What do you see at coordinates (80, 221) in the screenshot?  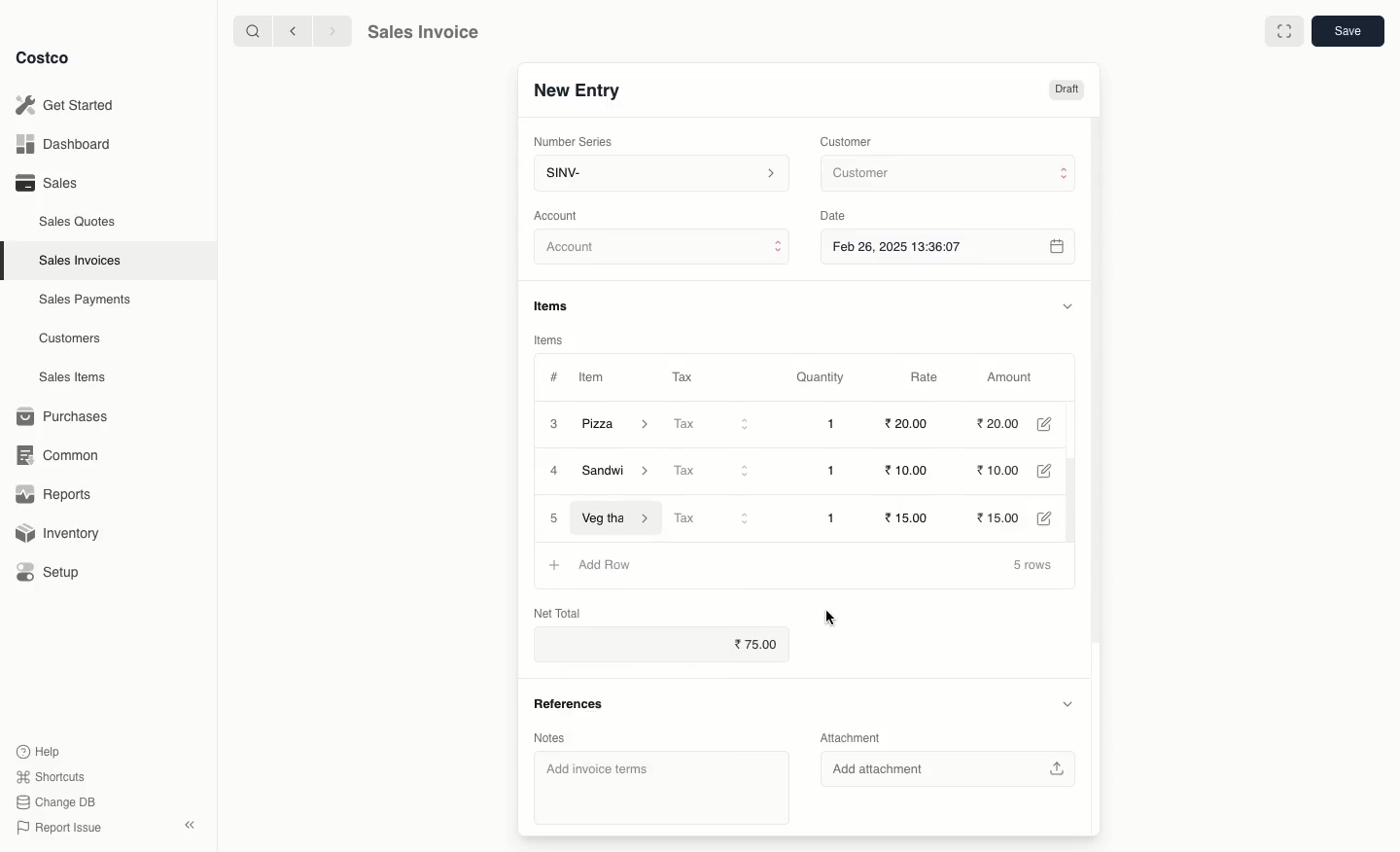 I see `Sales Quotes` at bounding box center [80, 221].